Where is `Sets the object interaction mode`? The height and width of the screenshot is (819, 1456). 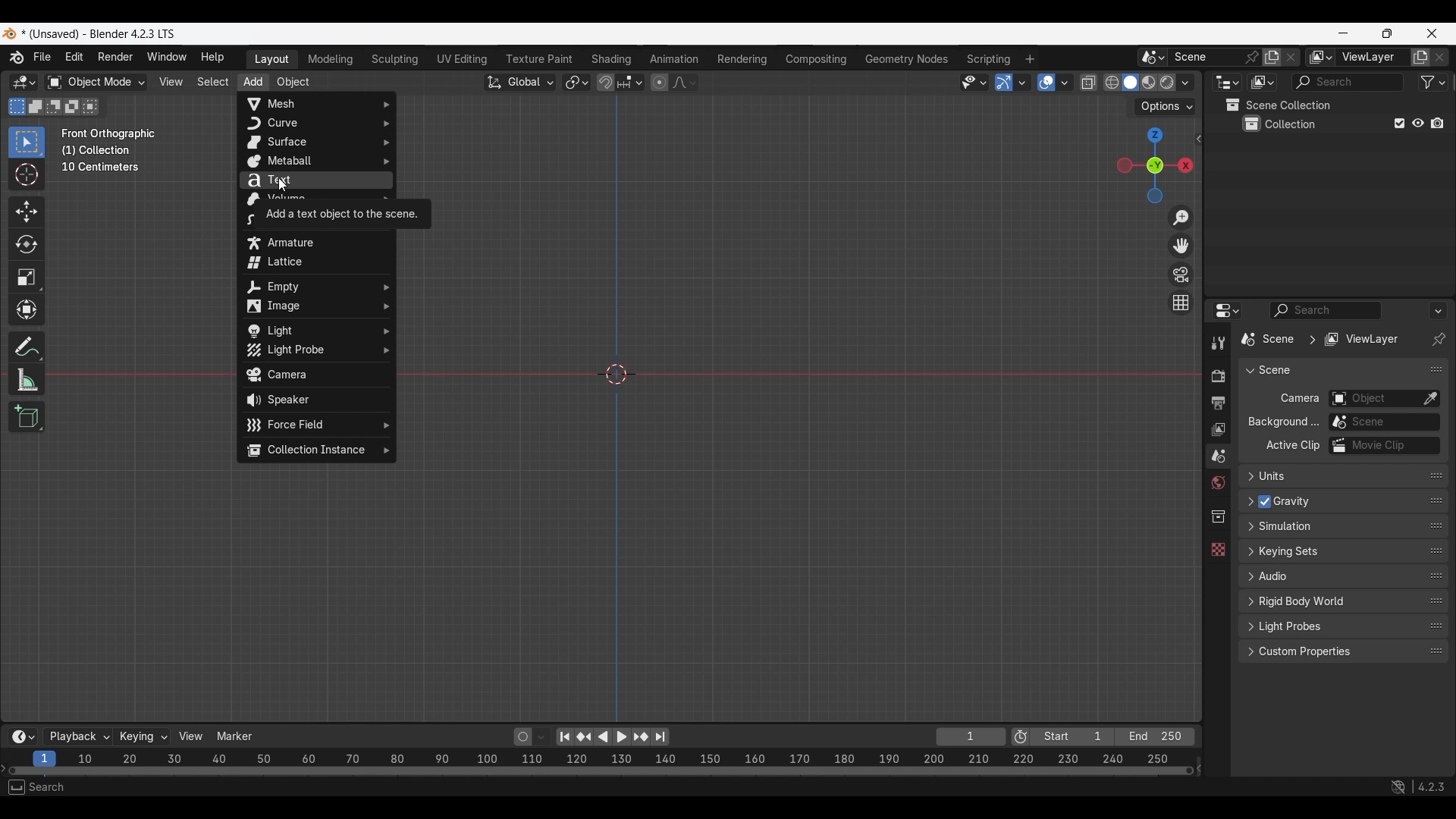 Sets the object interaction mode is located at coordinates (96, 83).